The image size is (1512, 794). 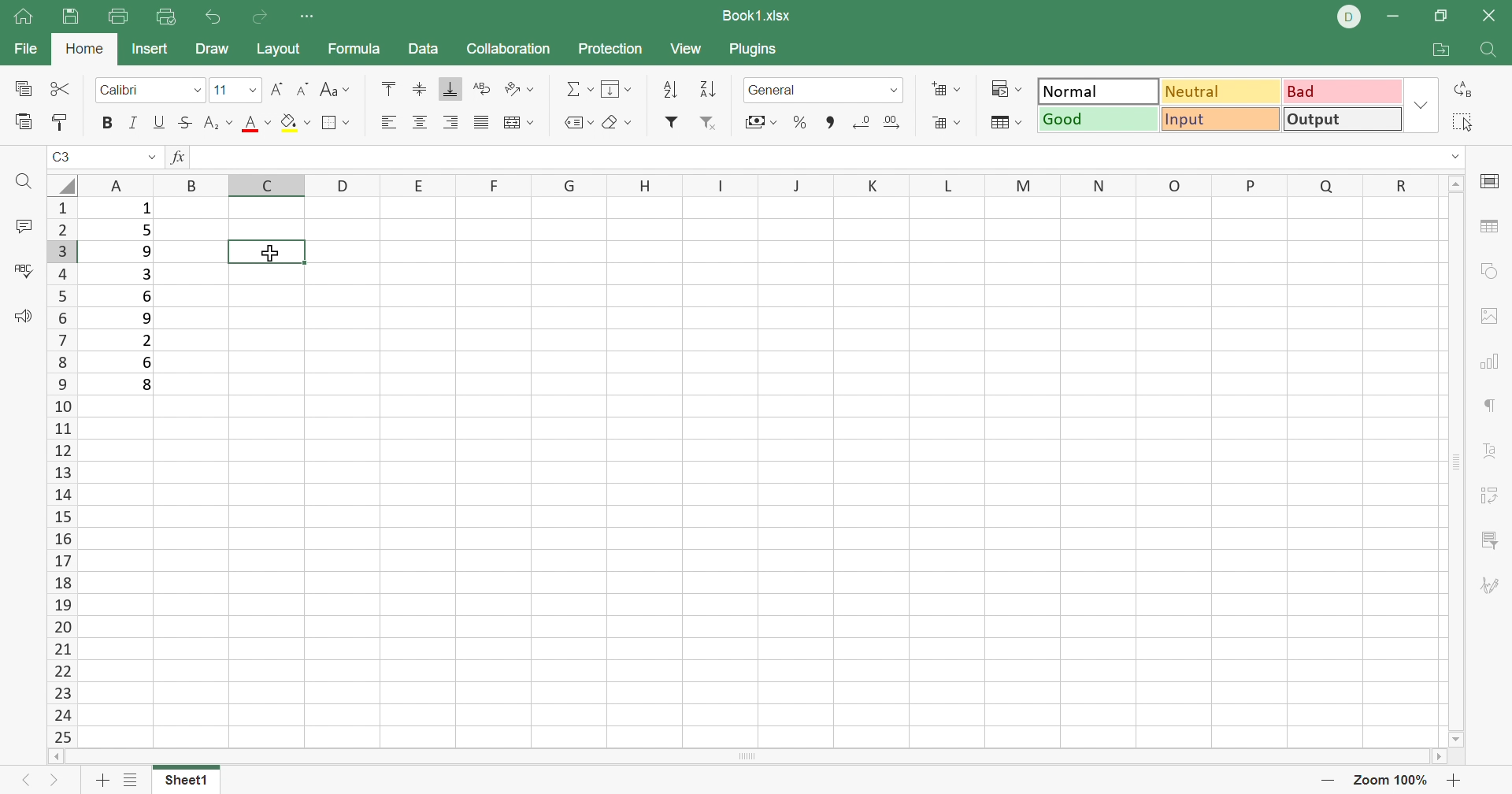 I want to click on Decrement font size, so click(x=302, y=87).